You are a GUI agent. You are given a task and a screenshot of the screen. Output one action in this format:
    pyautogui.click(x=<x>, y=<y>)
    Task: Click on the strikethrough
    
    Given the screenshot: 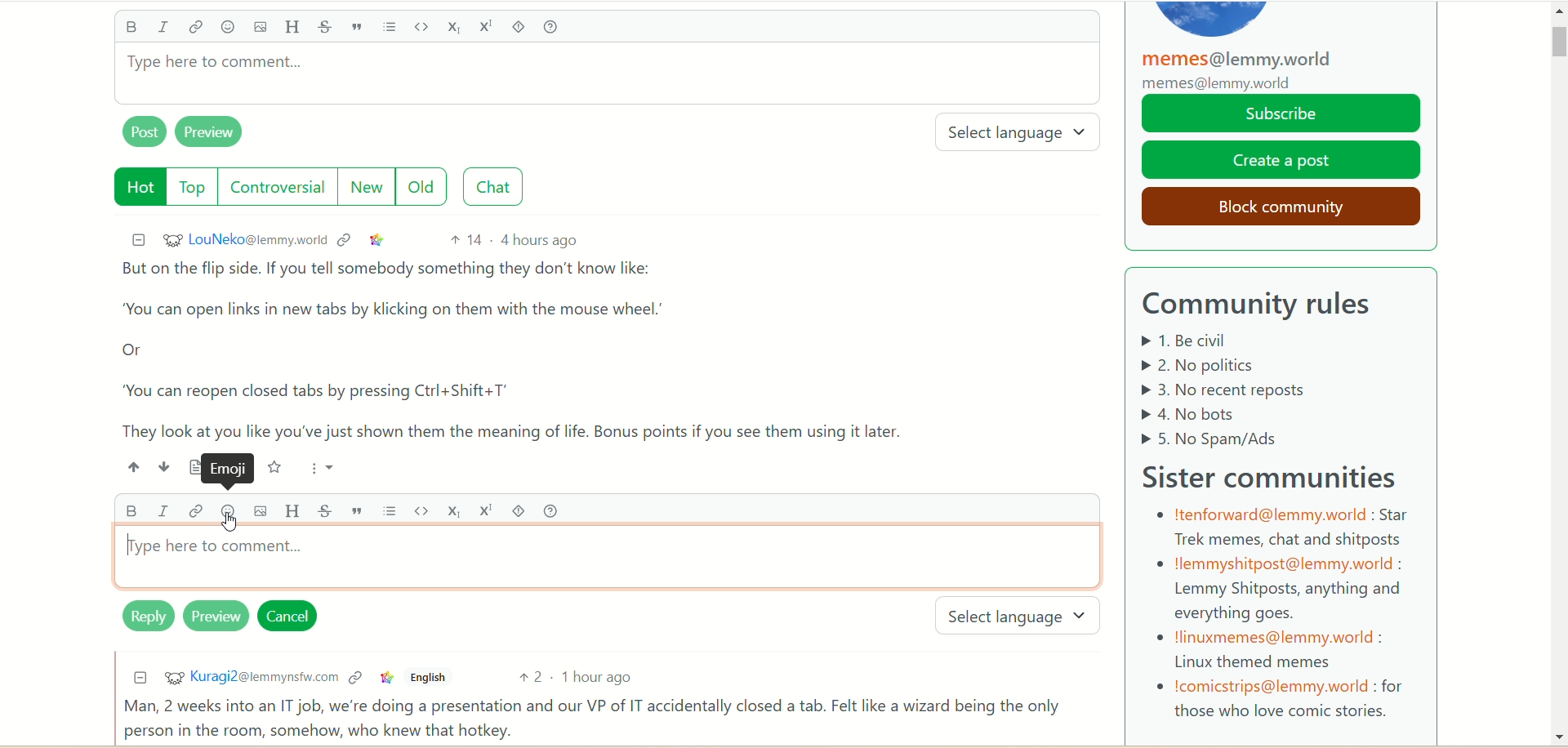 What is the action you would take?
    pyautogui.click(x=329, y=510)
    